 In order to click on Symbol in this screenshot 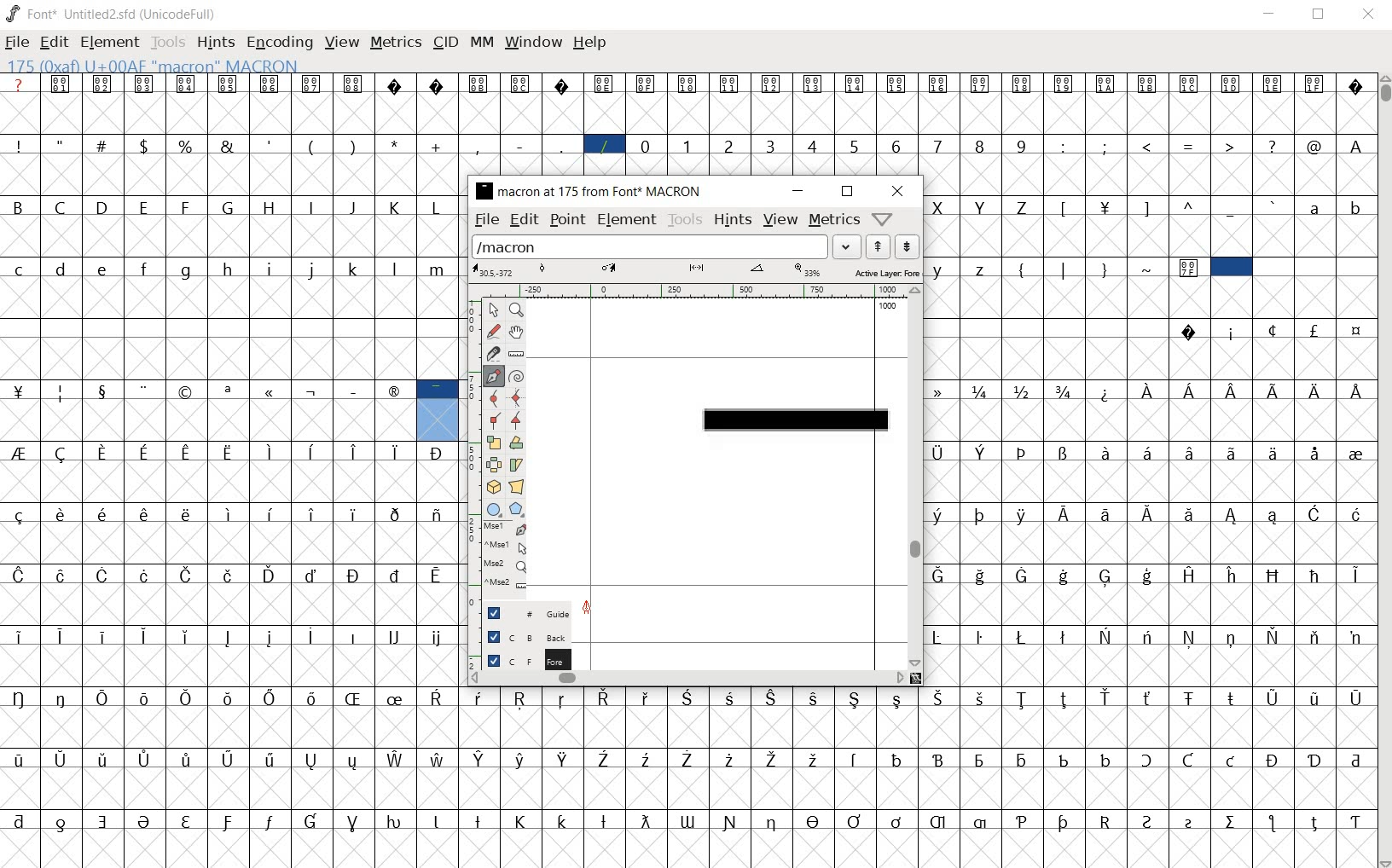, I will do `click(188, 391)`.